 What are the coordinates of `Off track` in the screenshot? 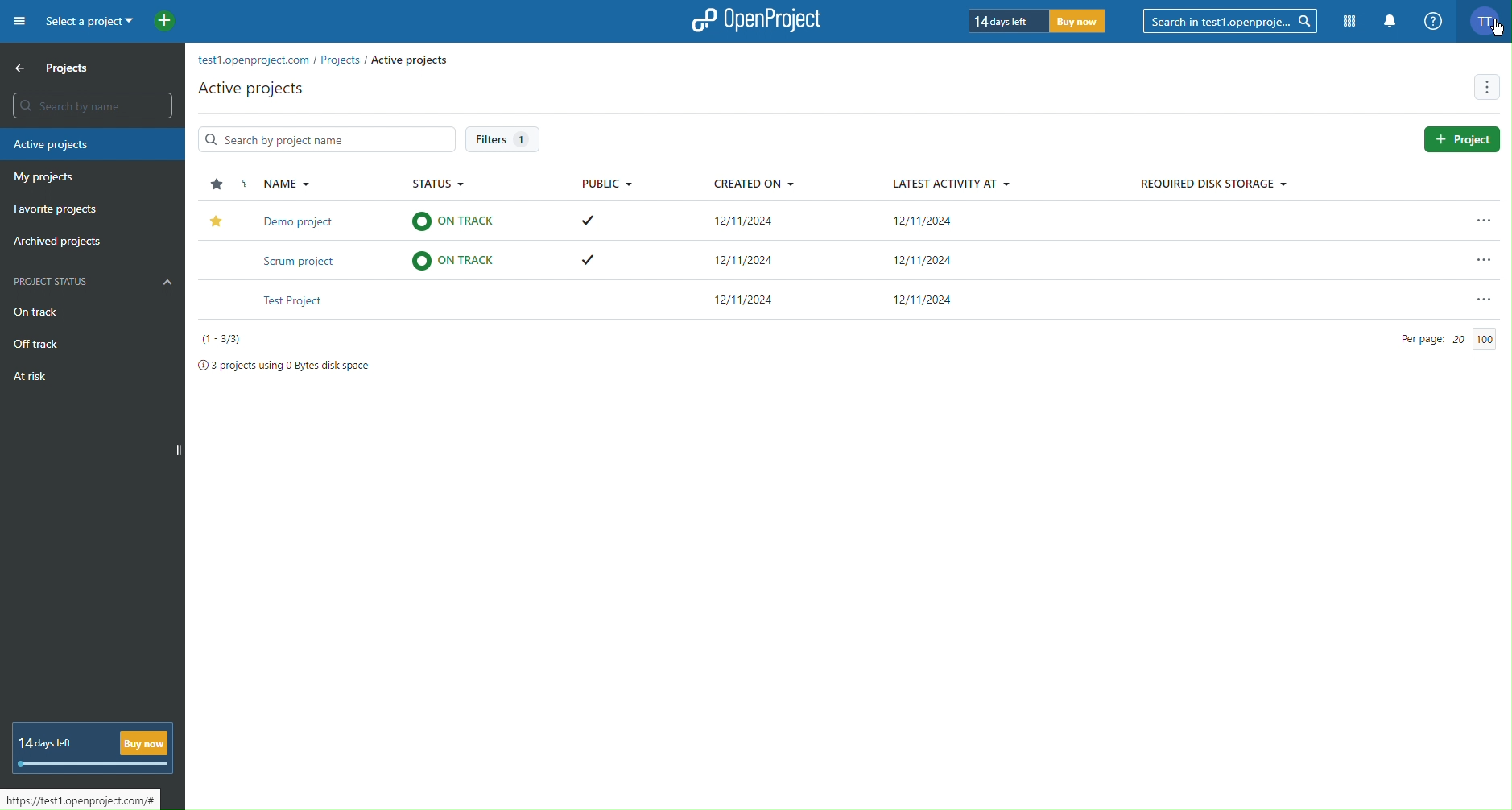 It's located at (36, 343).